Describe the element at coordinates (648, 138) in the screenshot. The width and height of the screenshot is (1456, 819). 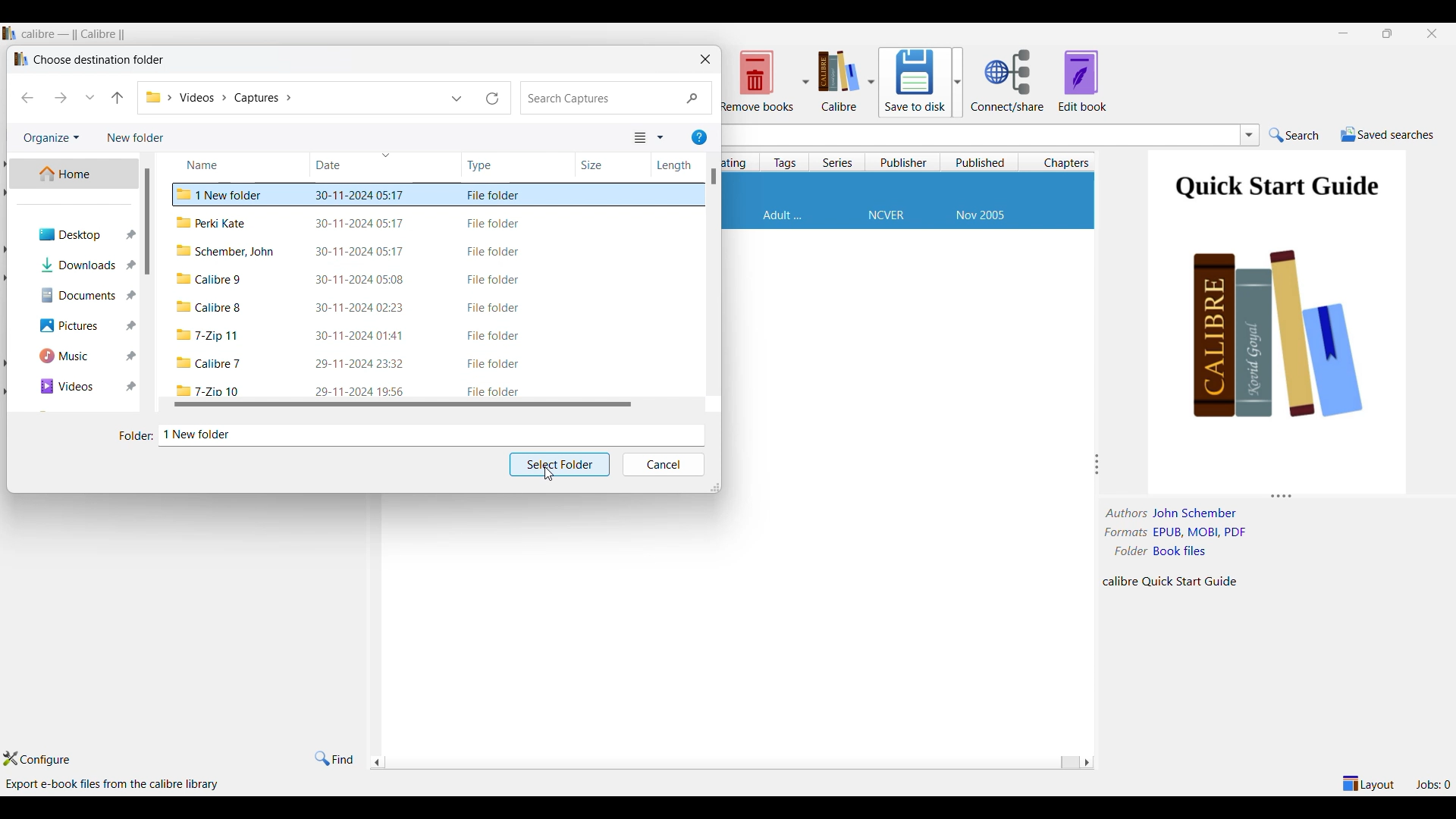
I see `Sort options` at that location.